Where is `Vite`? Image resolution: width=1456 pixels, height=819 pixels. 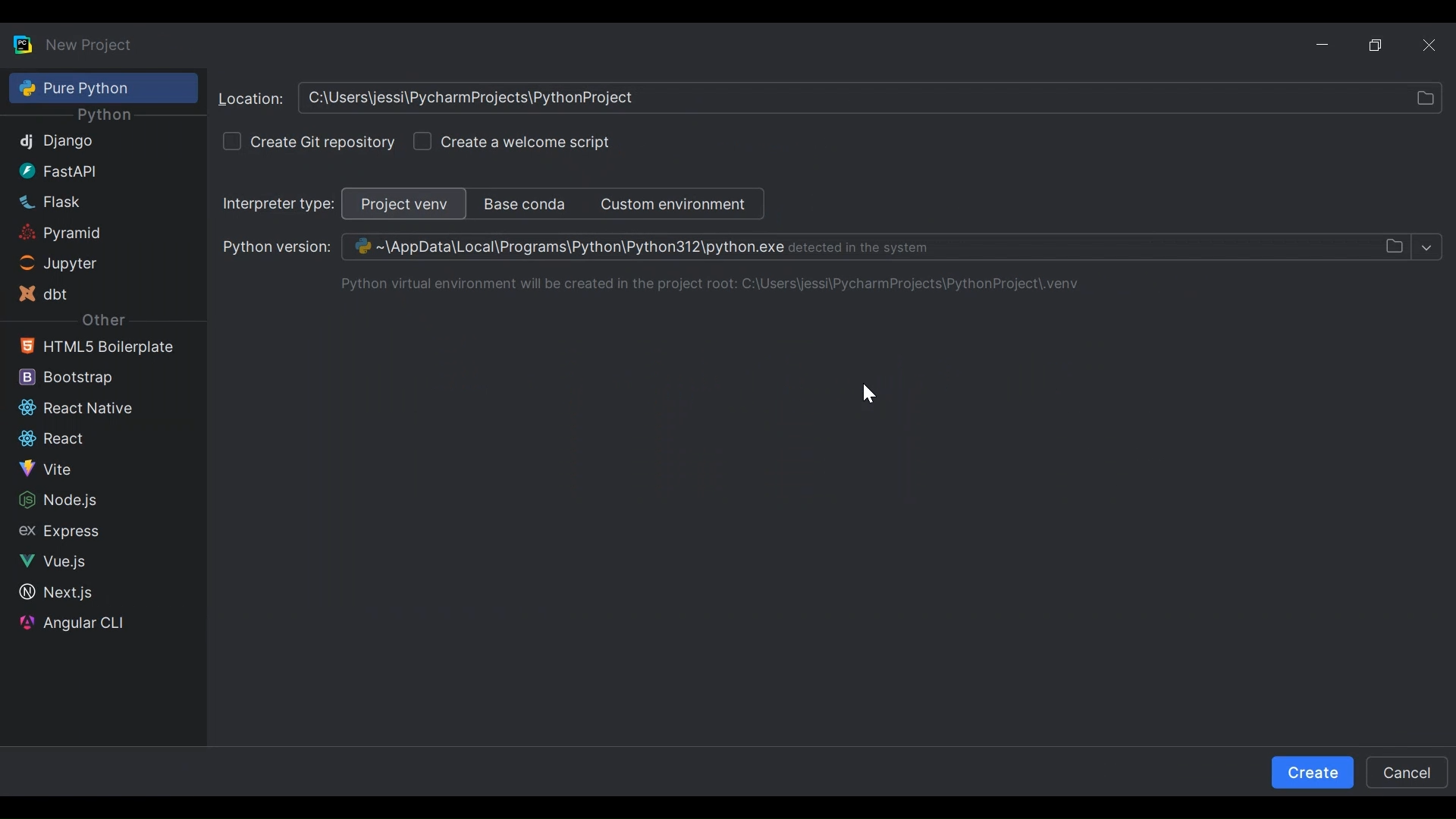
Vite is located at coordinates (96, 471).